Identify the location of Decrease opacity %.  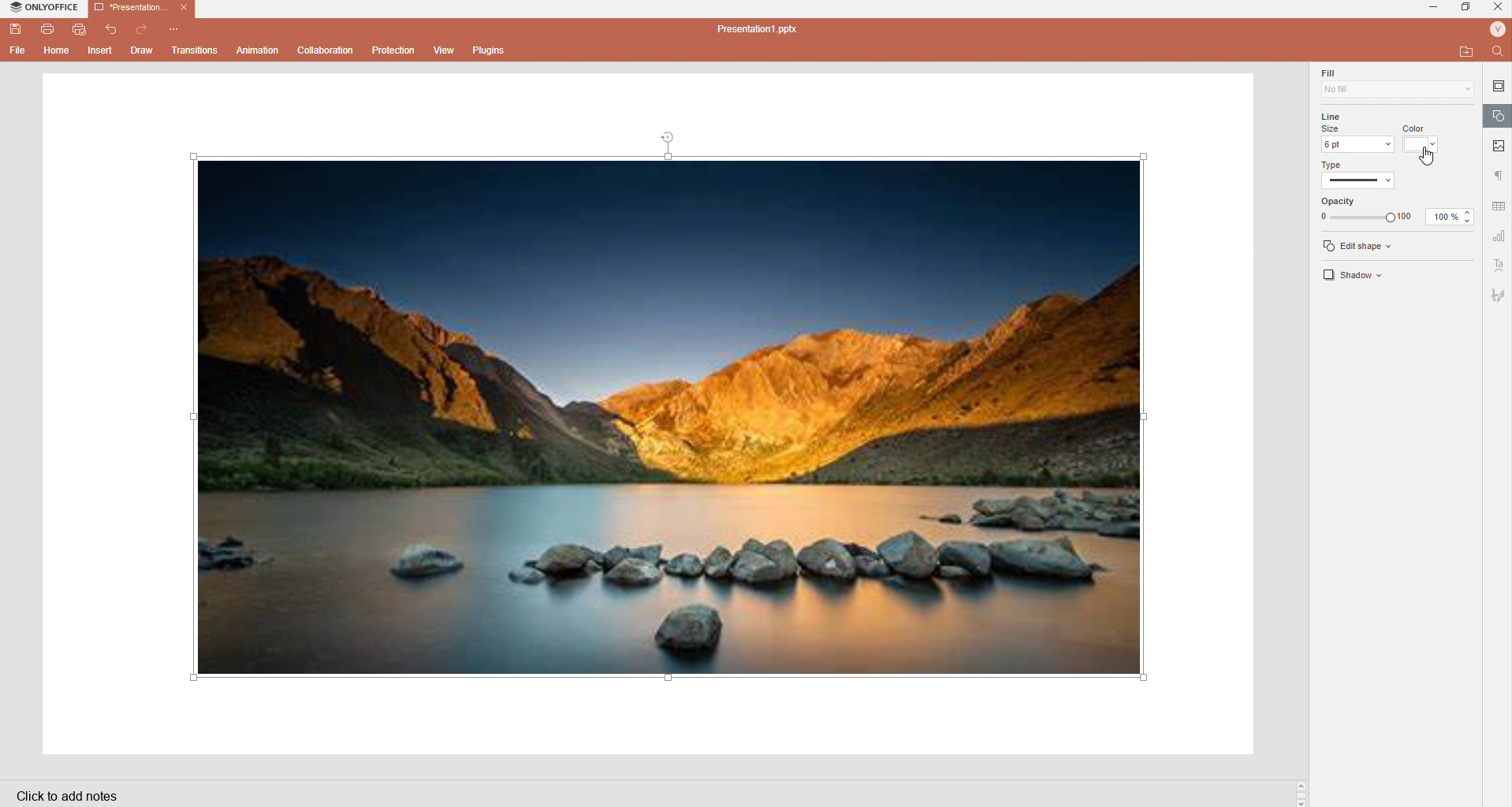
(1471, 225).